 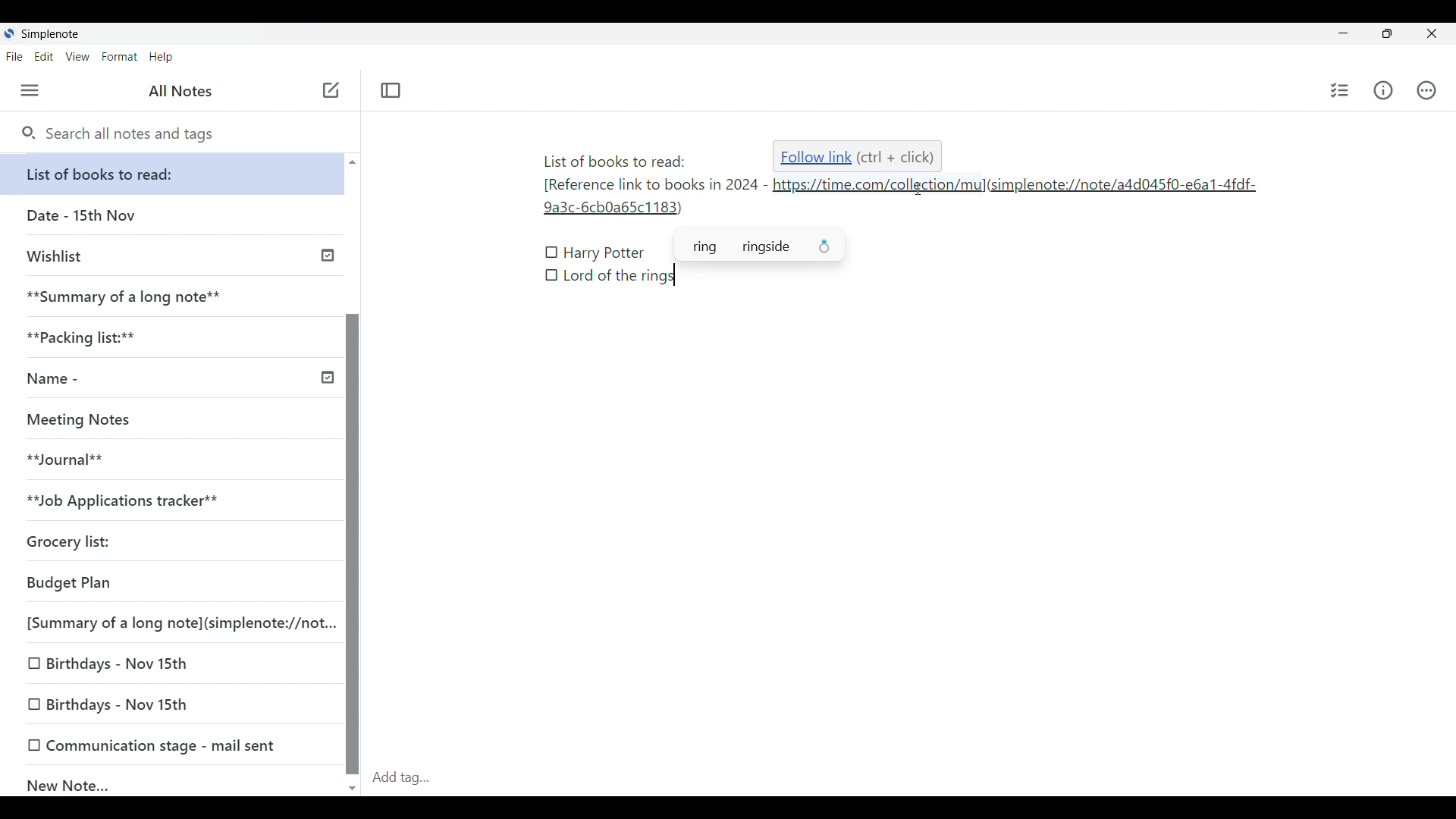 What do you see at coordinates (605, 254) in the screenshot?
I see `Harry Potter` at bounding box center [605, 254].